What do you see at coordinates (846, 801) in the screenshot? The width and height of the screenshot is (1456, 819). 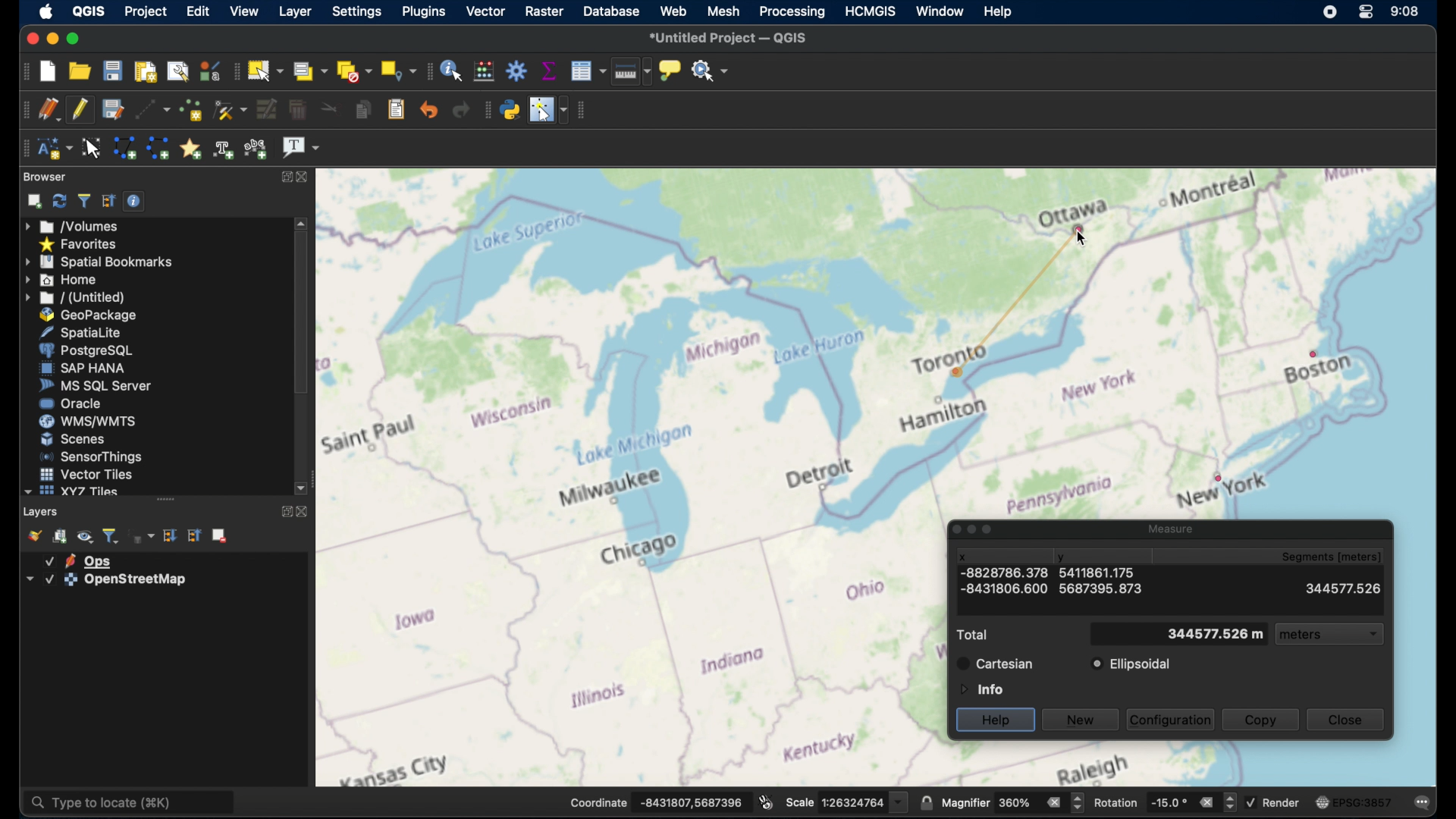 I see `scale` at bounding box center [846, 801].